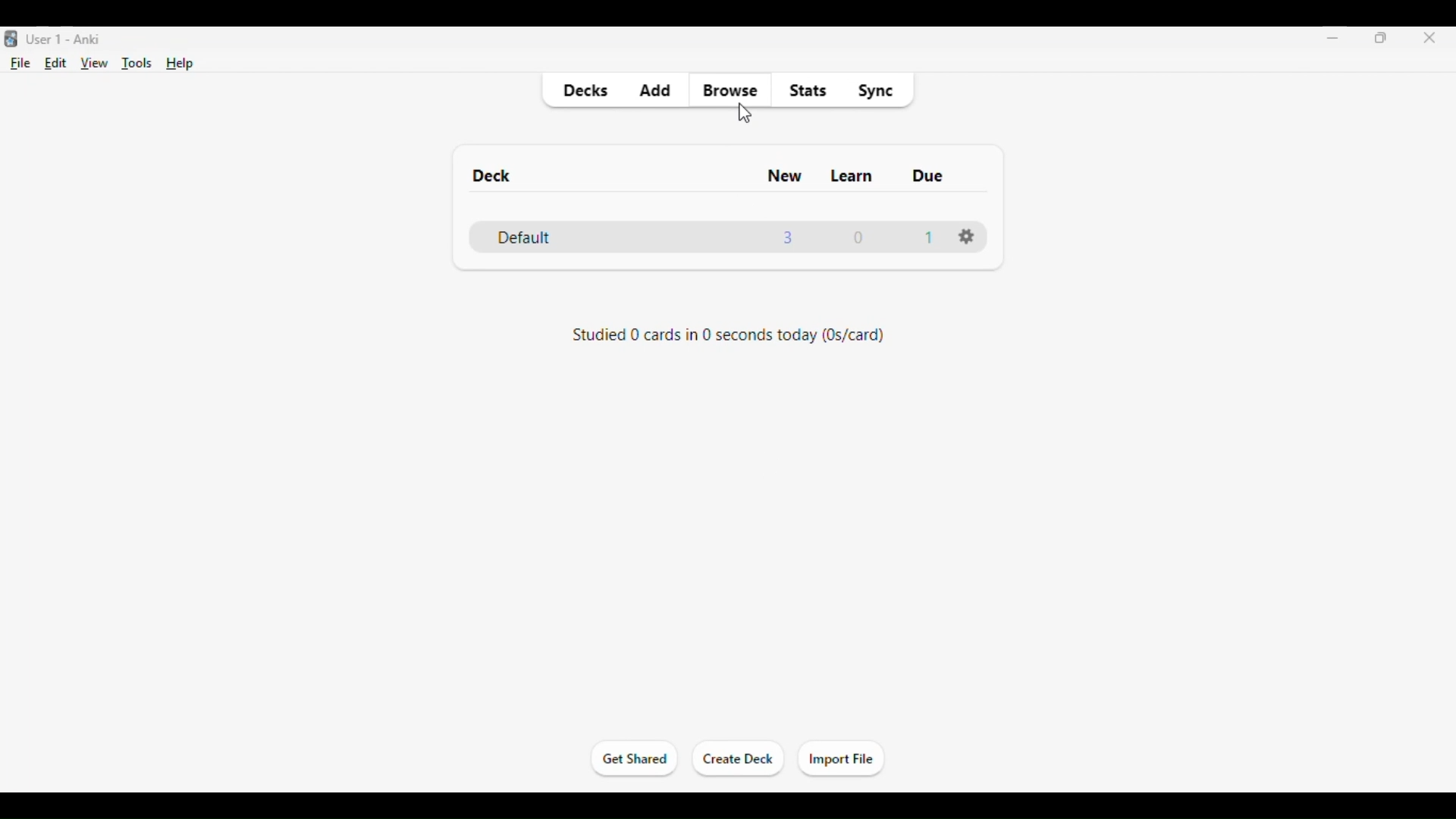 Image resolution: width=1456 pixels, height=819 pixels. I want to click on sync, so click(875, 91).